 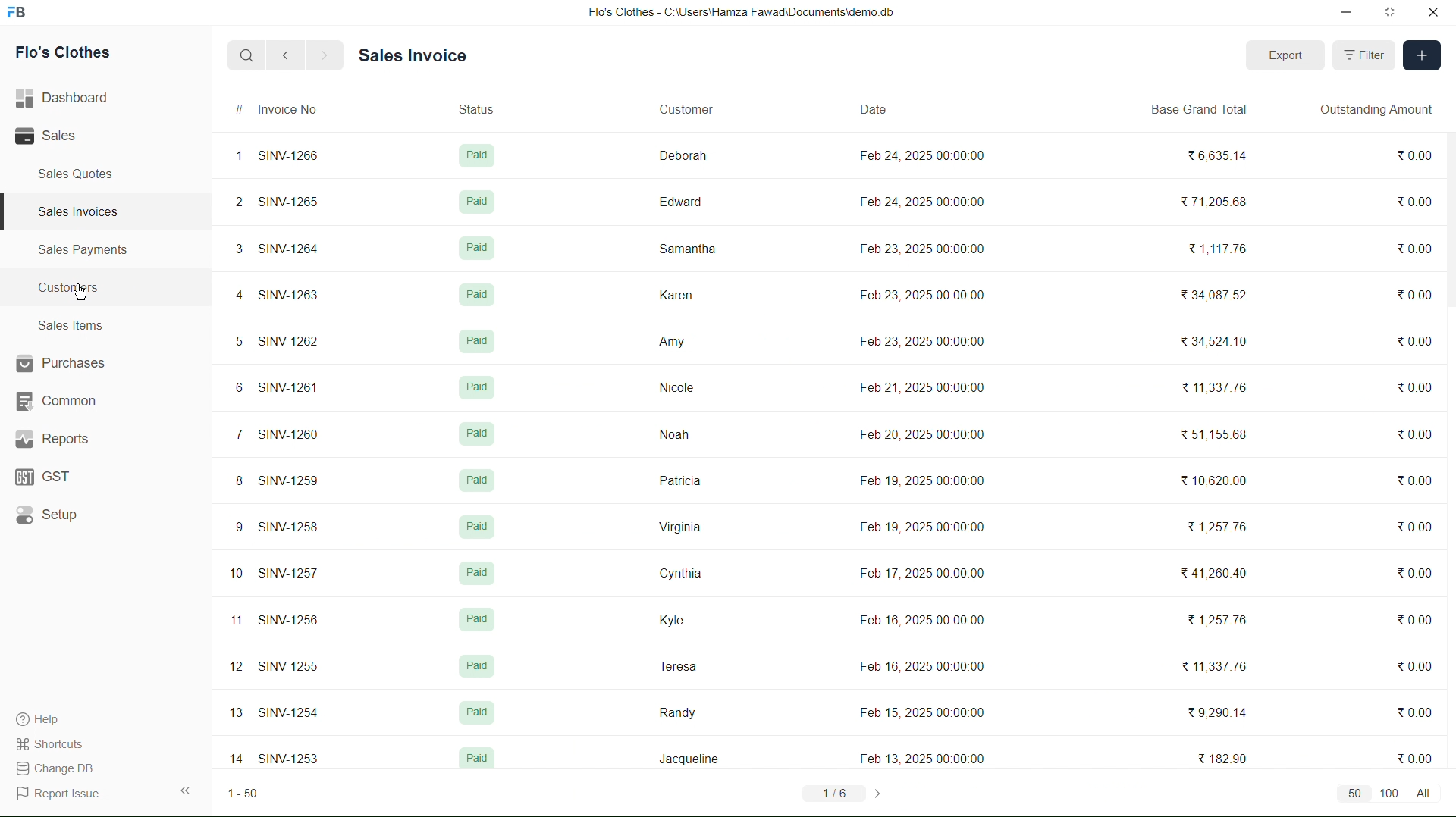 What do you see at coordinates (674, 433) in the screenshot?
I see `Noah` at bounding box center [674, 433].